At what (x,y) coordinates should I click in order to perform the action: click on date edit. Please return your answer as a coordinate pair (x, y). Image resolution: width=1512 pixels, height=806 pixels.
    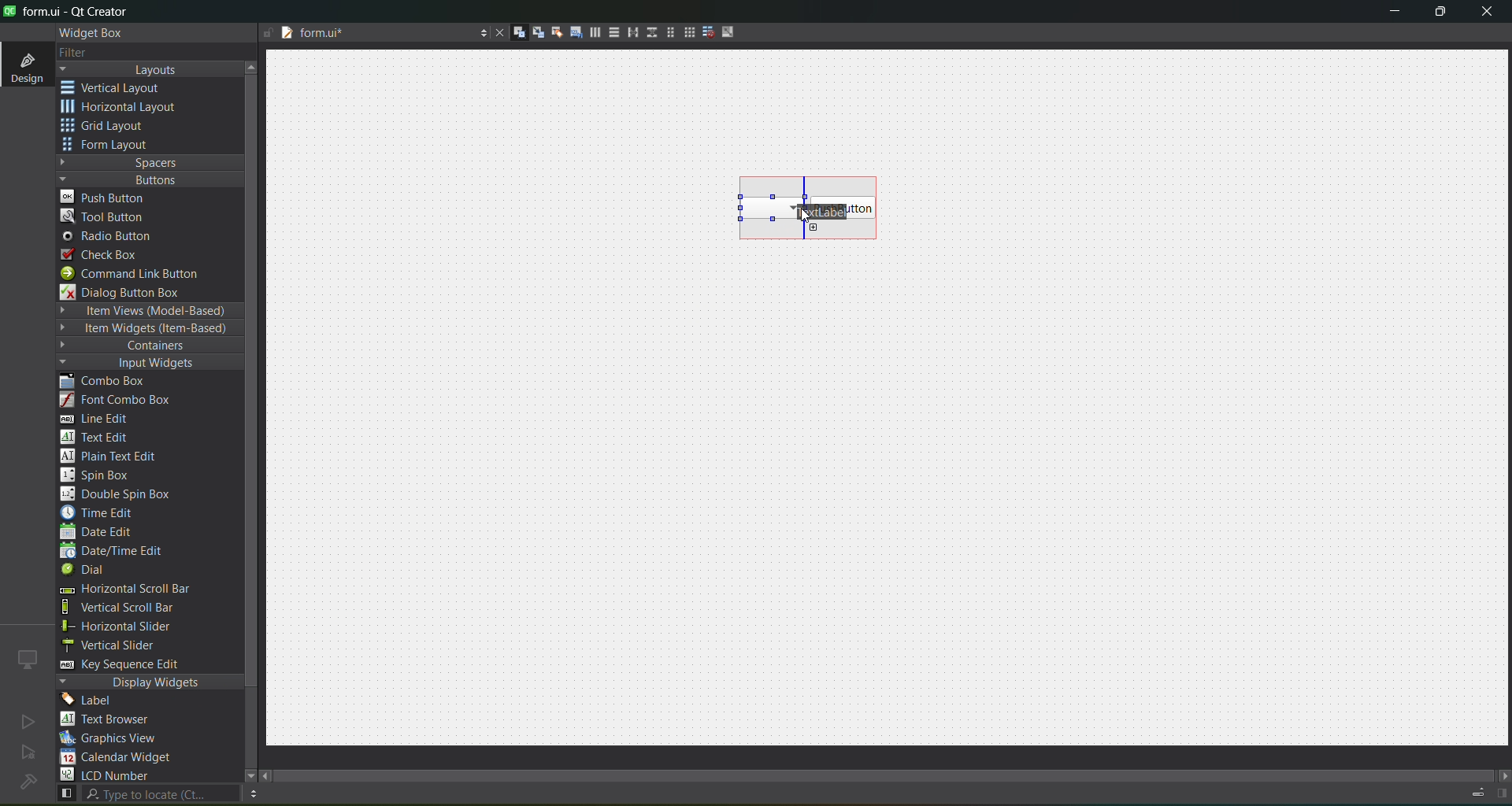
    Looking at the image, I should click on (100, 533).